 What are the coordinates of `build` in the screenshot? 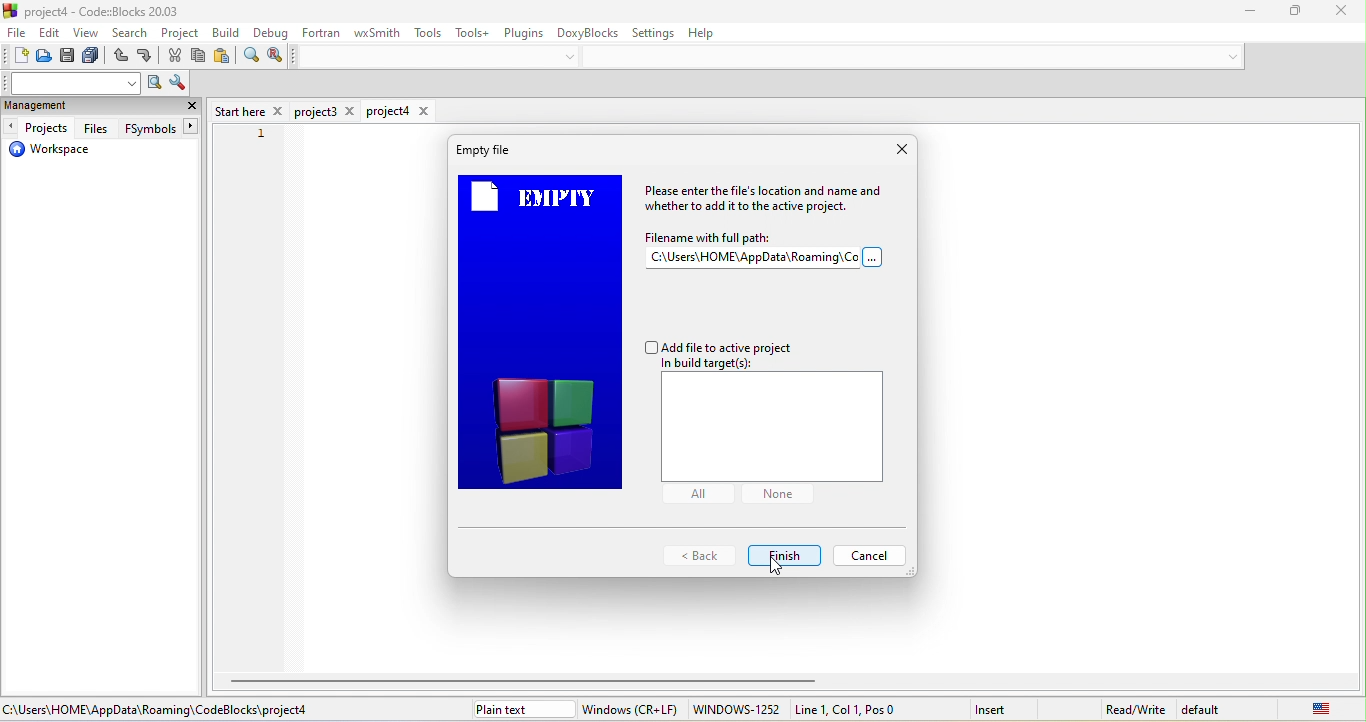 It's located at (228, 32).